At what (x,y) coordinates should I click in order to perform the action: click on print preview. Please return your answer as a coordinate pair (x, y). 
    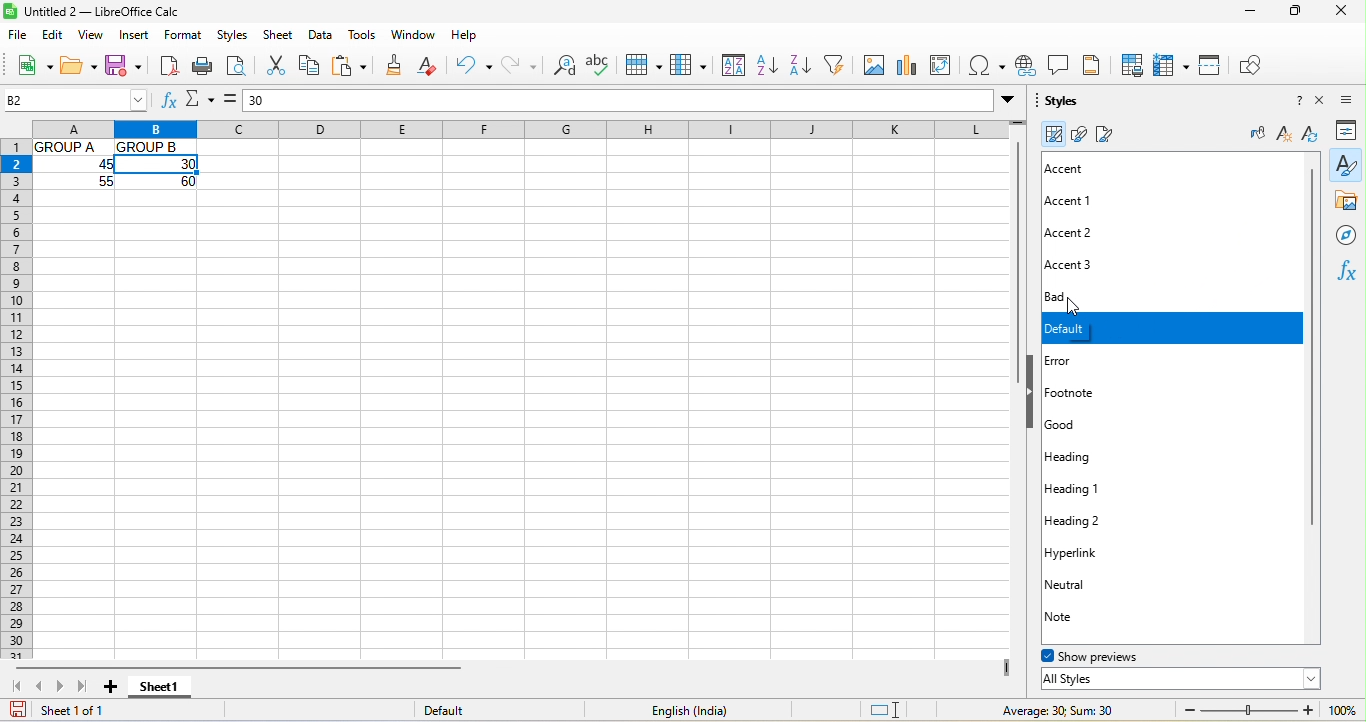
    Looking at the image, I should click on (236, 67).